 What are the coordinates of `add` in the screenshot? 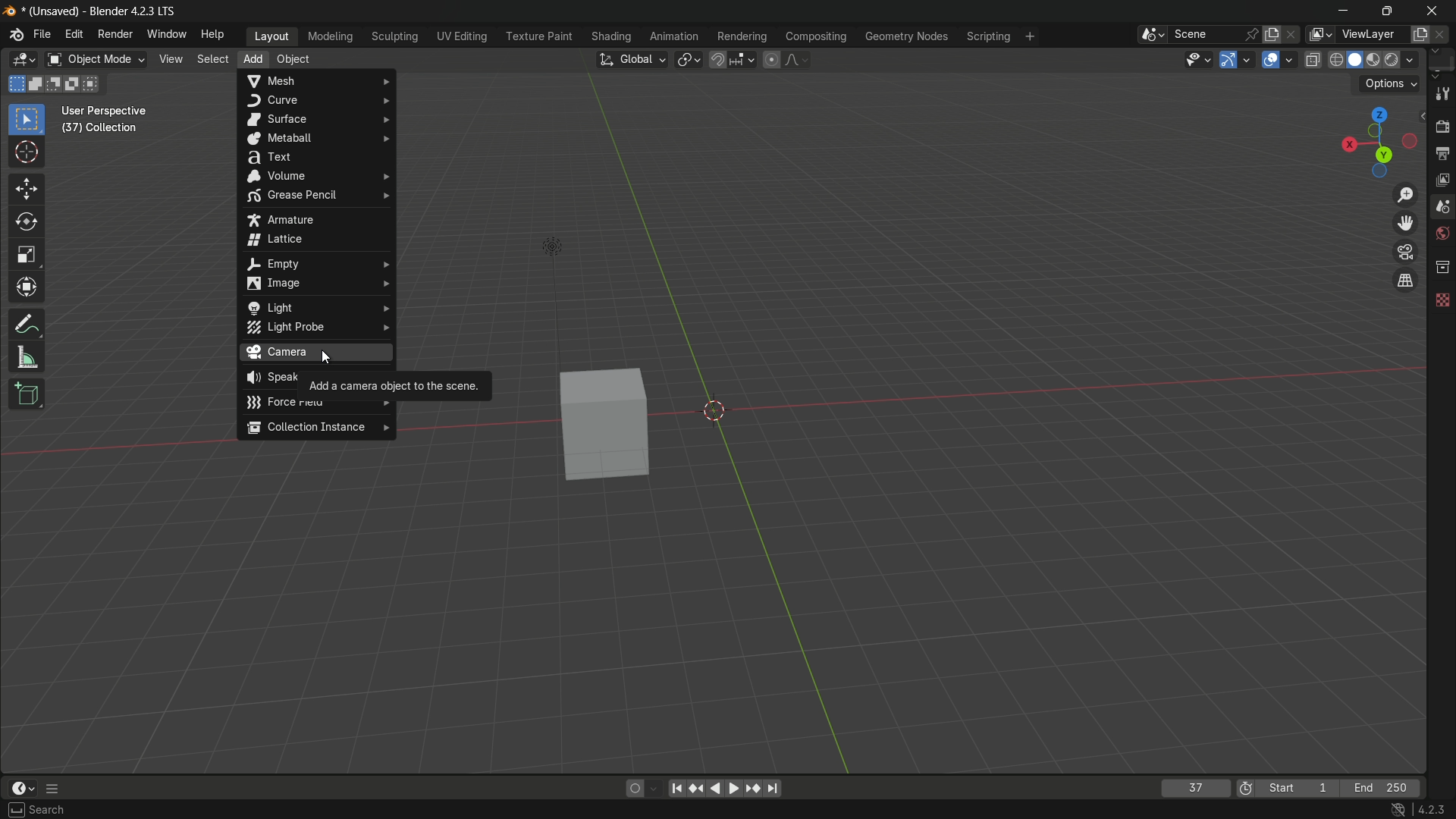 It's located at (252, 60).